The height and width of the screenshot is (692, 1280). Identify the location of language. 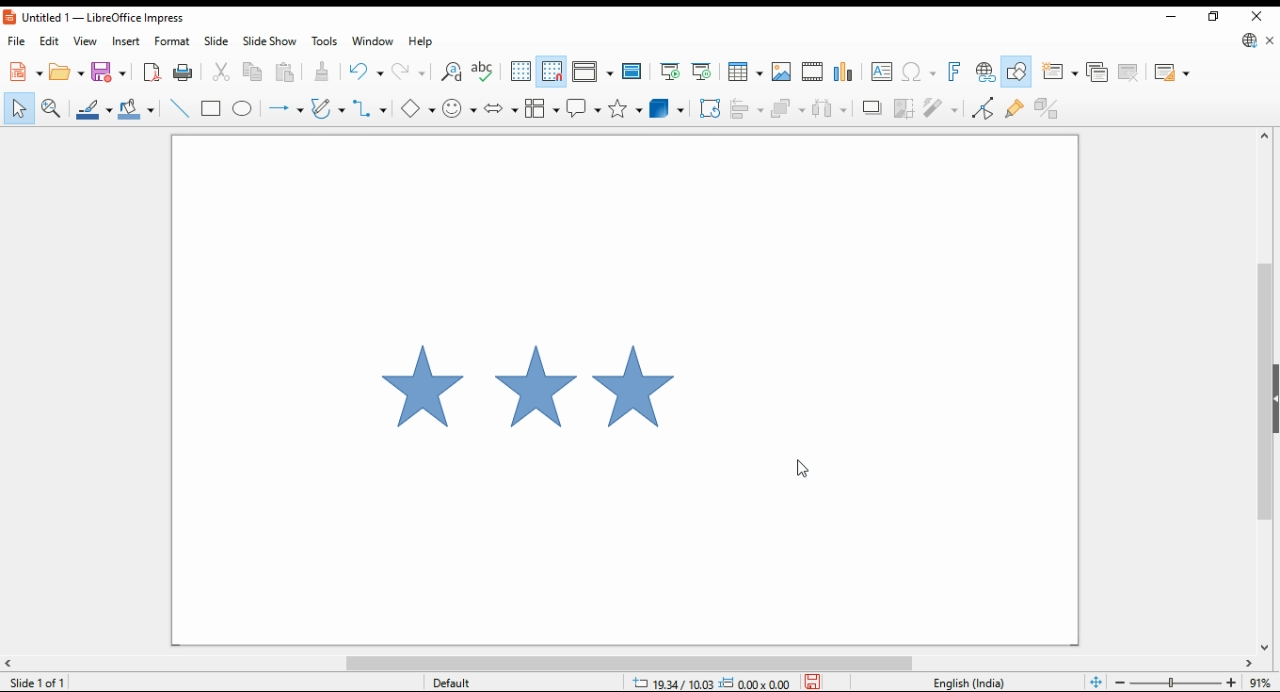
(974, 682).